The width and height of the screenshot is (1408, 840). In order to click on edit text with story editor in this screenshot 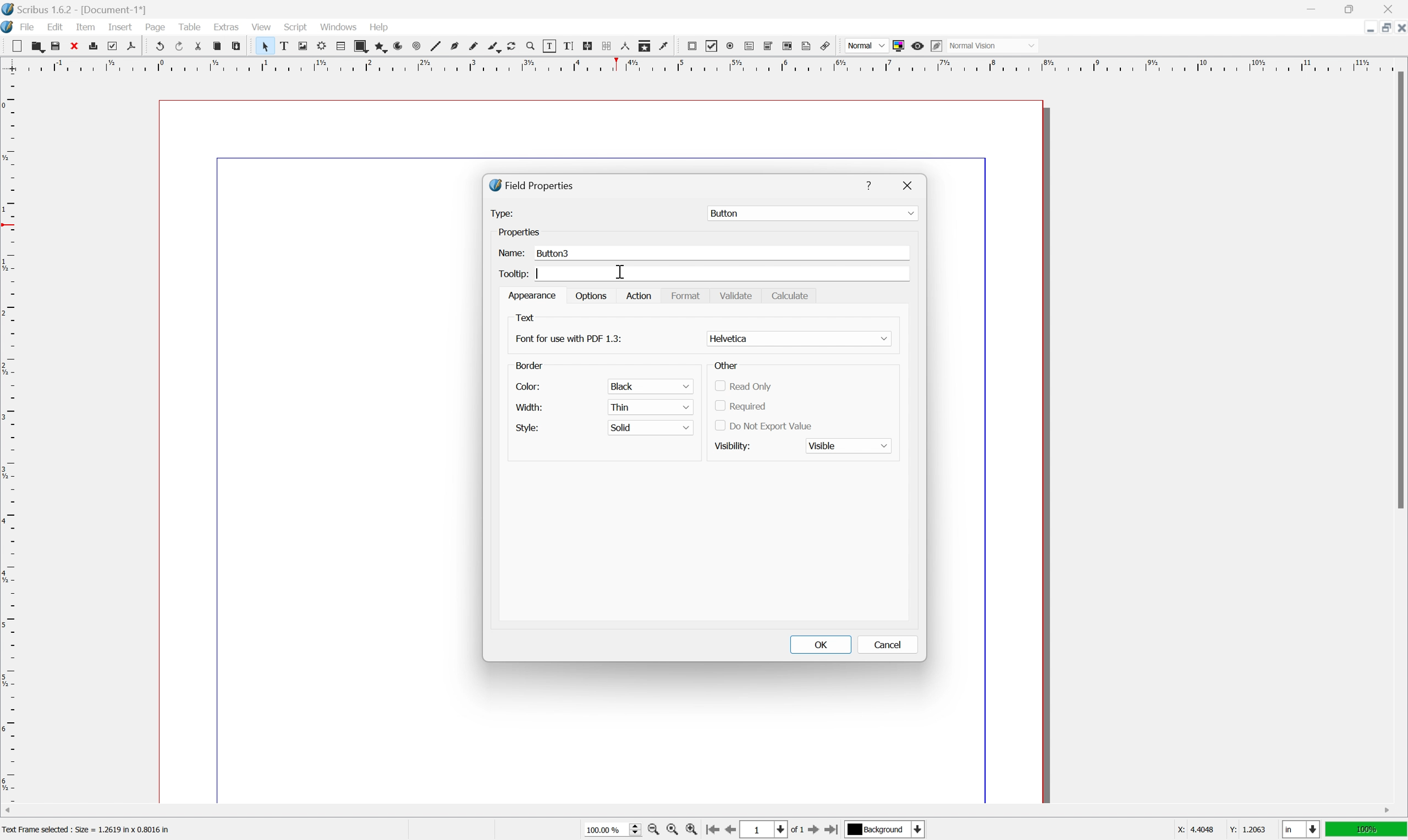, I will do `click(569, 46)`.